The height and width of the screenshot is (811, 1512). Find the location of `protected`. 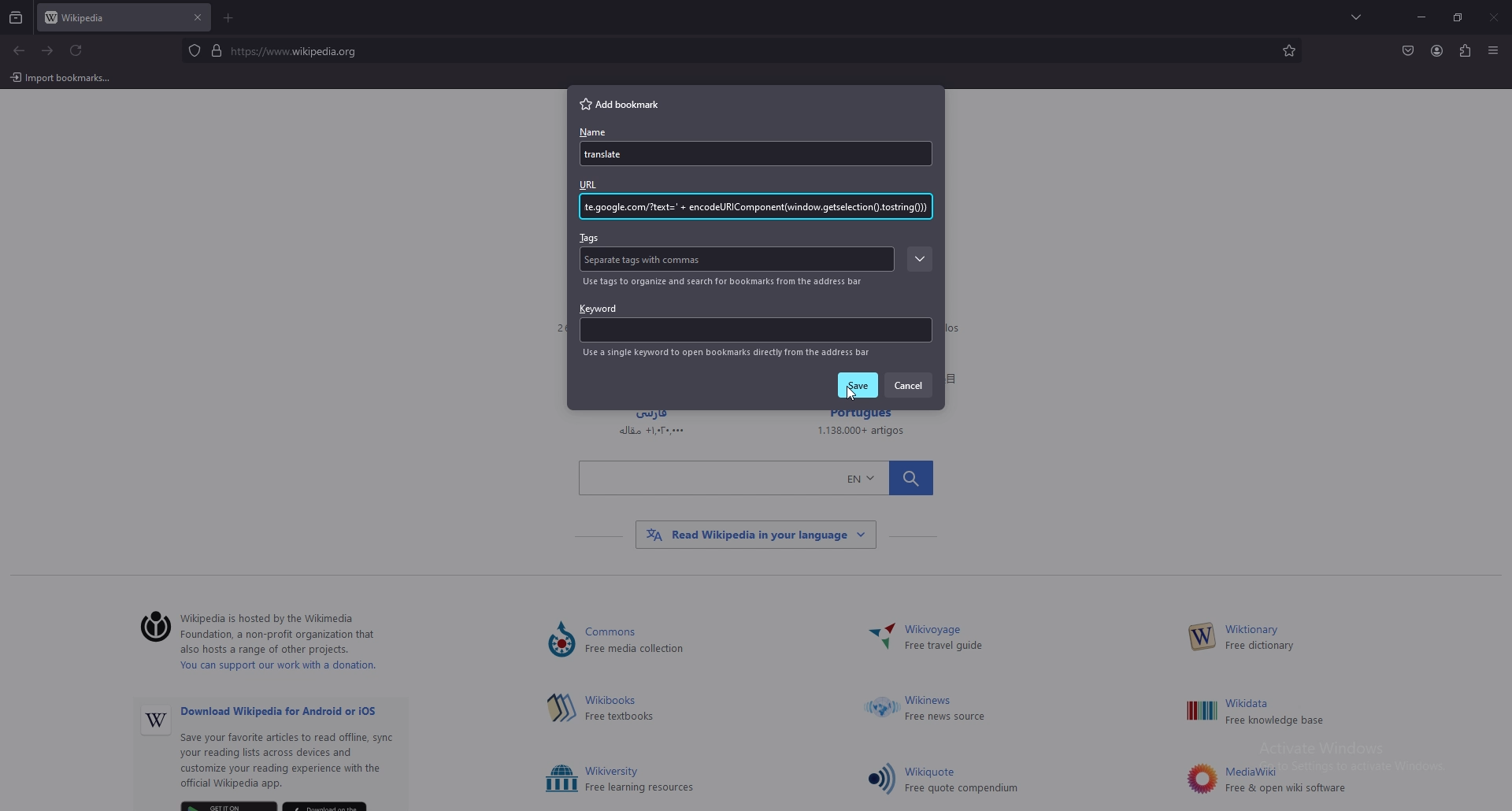

protected is located at coordinates (194, 50).